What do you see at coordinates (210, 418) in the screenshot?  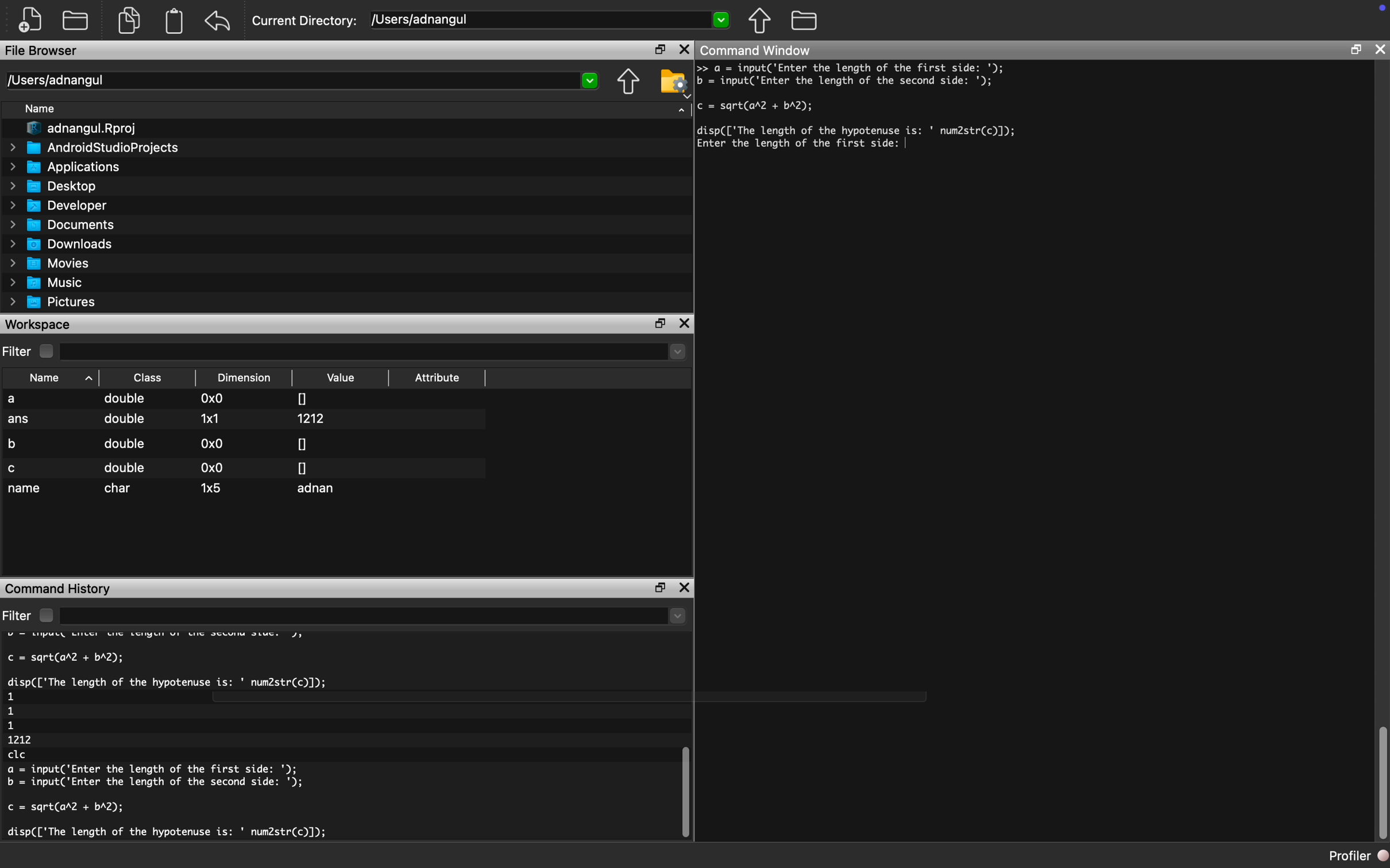 I see `1x1` at bounding box center [210, 418].